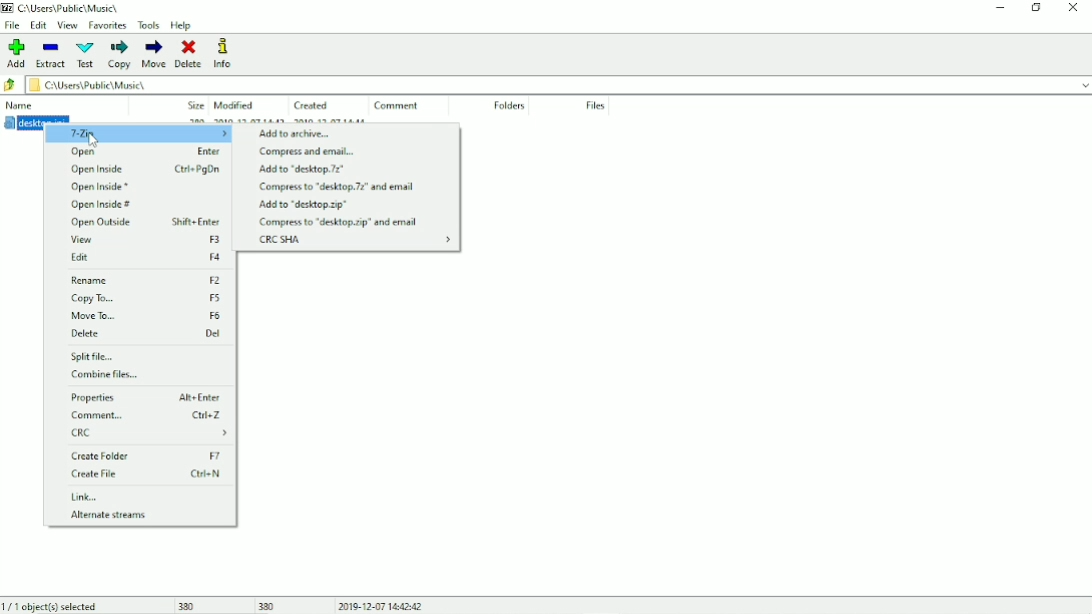 Image resolution: width=1092 pixels, height=614 pixels. What do you see at coordinates (147, 240) in the screenshot?
I see `View` at bounding box center [147, 240].